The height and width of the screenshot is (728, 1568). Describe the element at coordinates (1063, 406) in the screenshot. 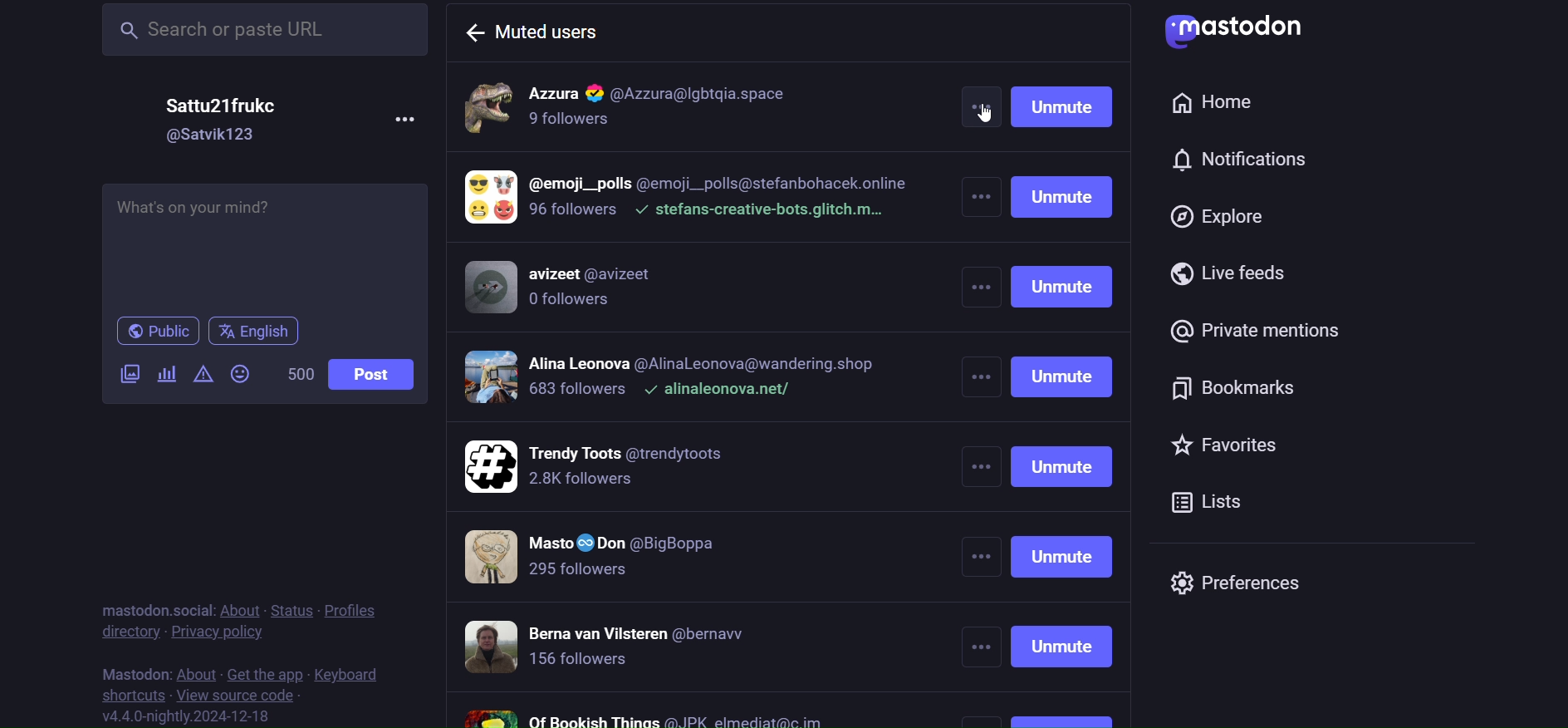

I see `unmute` at that location.